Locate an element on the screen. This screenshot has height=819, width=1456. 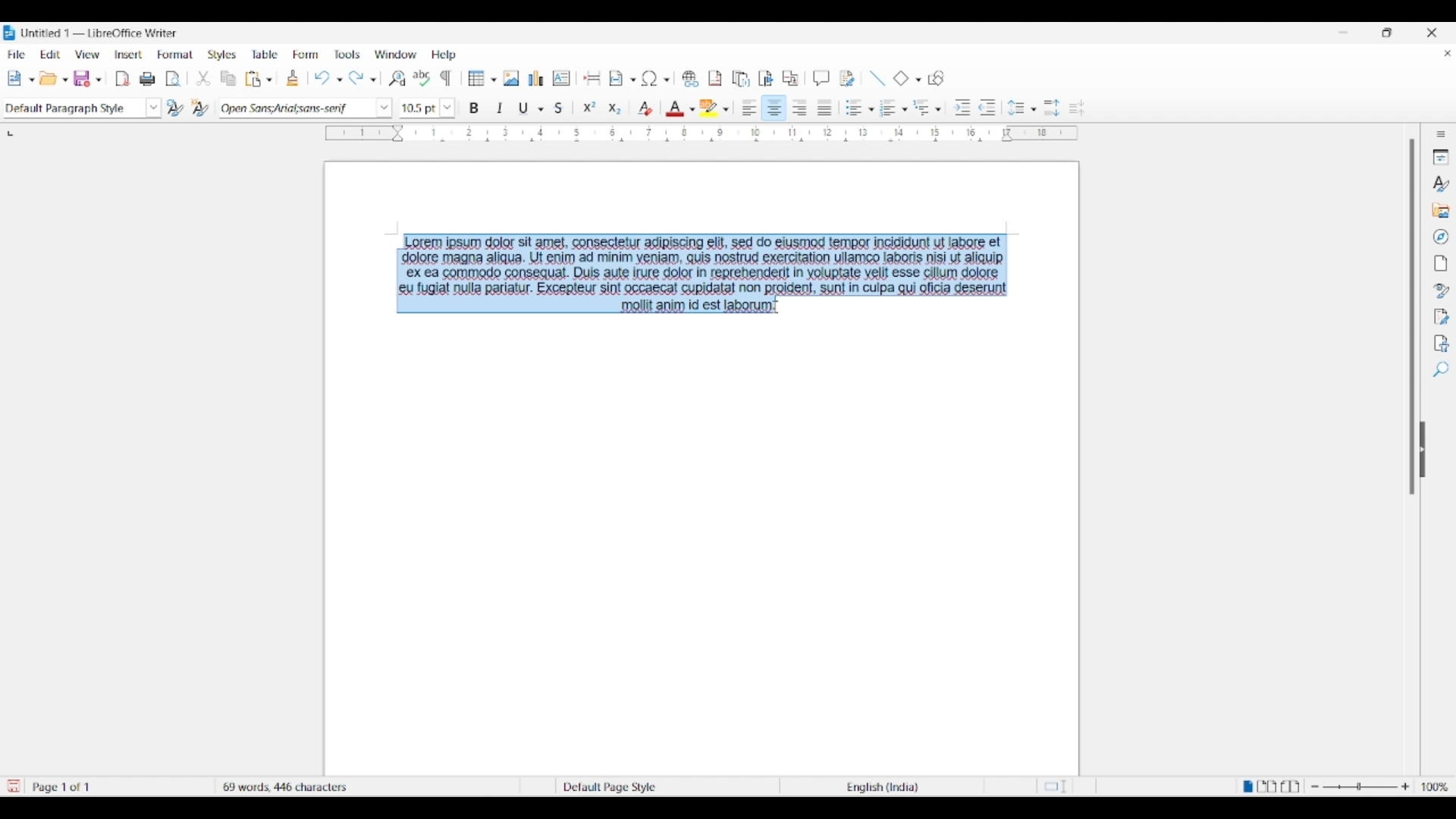
Outline format options is located at coordinates (938, 109).